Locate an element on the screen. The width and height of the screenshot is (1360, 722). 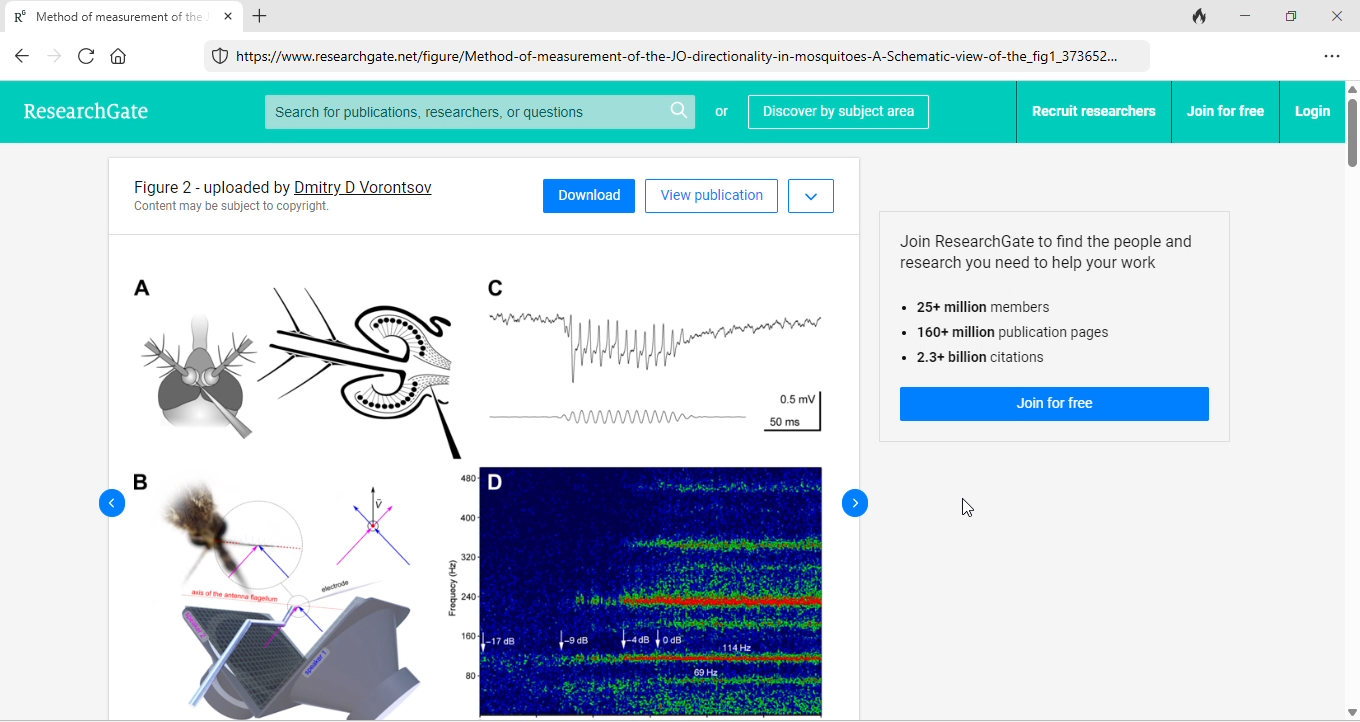
cursor is located at coordinates (966, 510).